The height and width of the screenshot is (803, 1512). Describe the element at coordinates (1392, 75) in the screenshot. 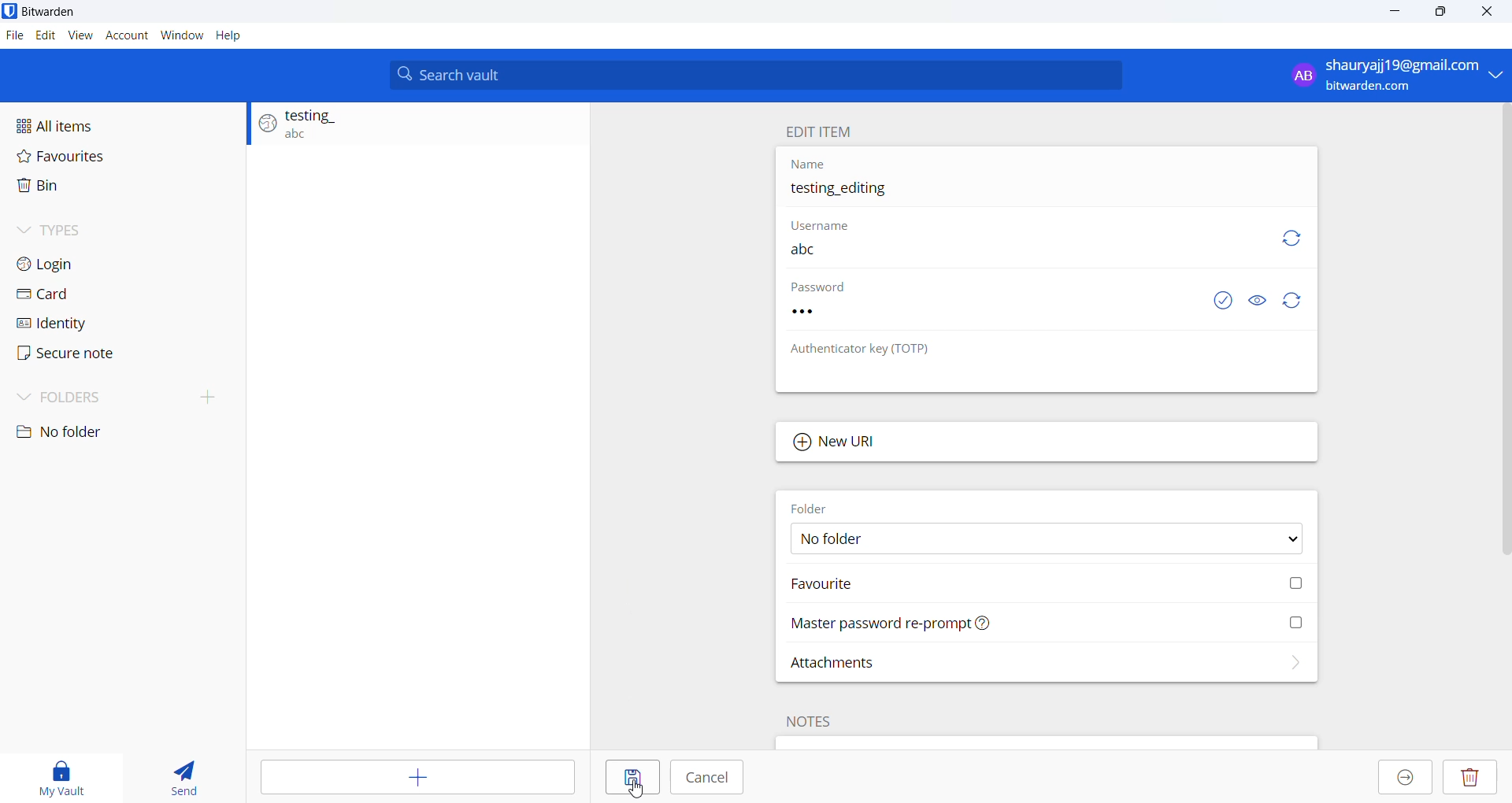

I see `Login account email` at that location.